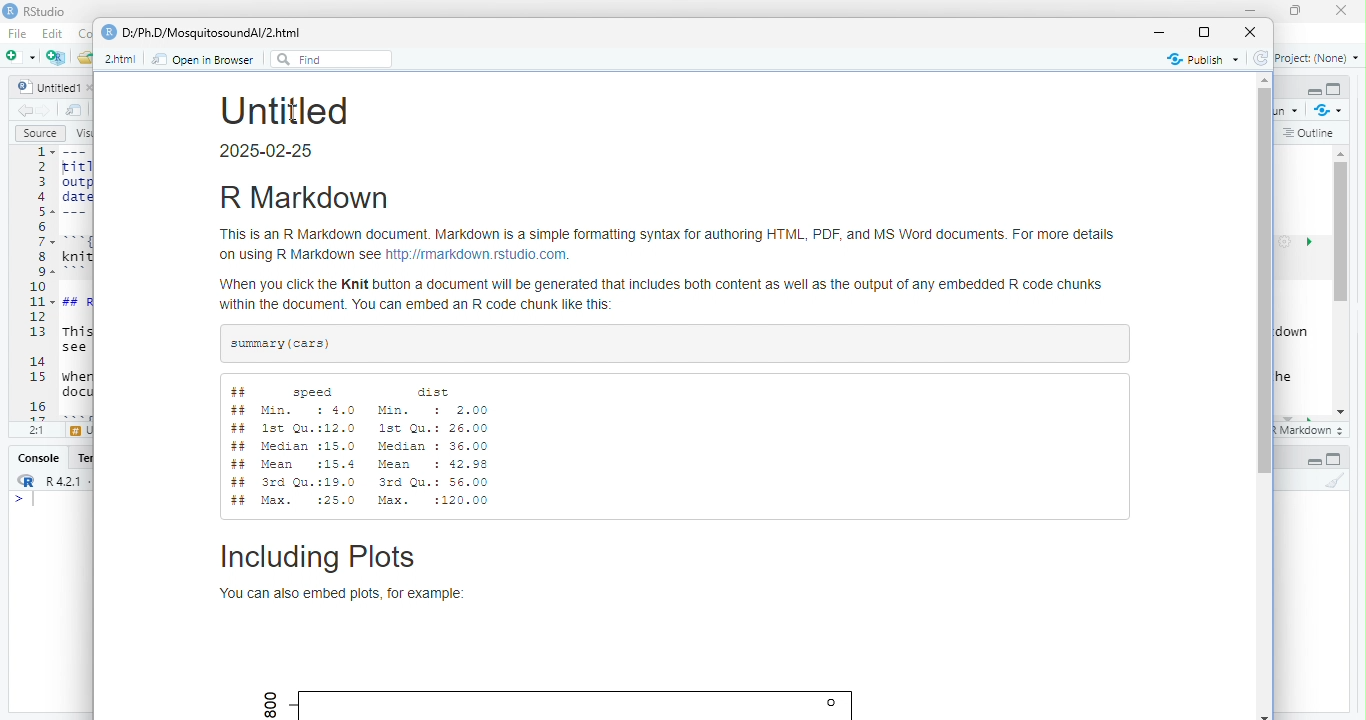  I want to click on logo, so click(11, 10).